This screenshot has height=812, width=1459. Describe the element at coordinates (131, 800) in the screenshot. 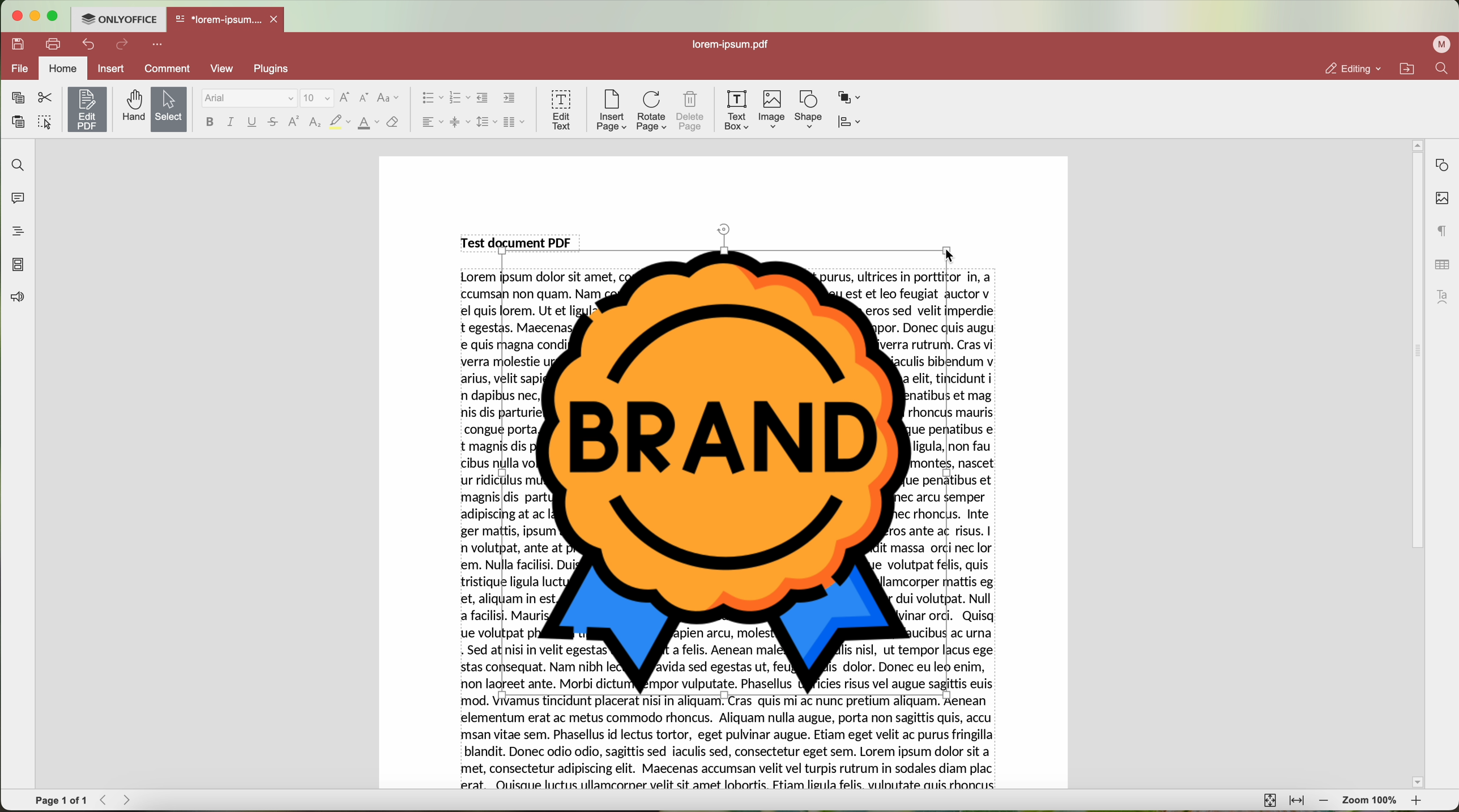

I see `Forward` at that location.